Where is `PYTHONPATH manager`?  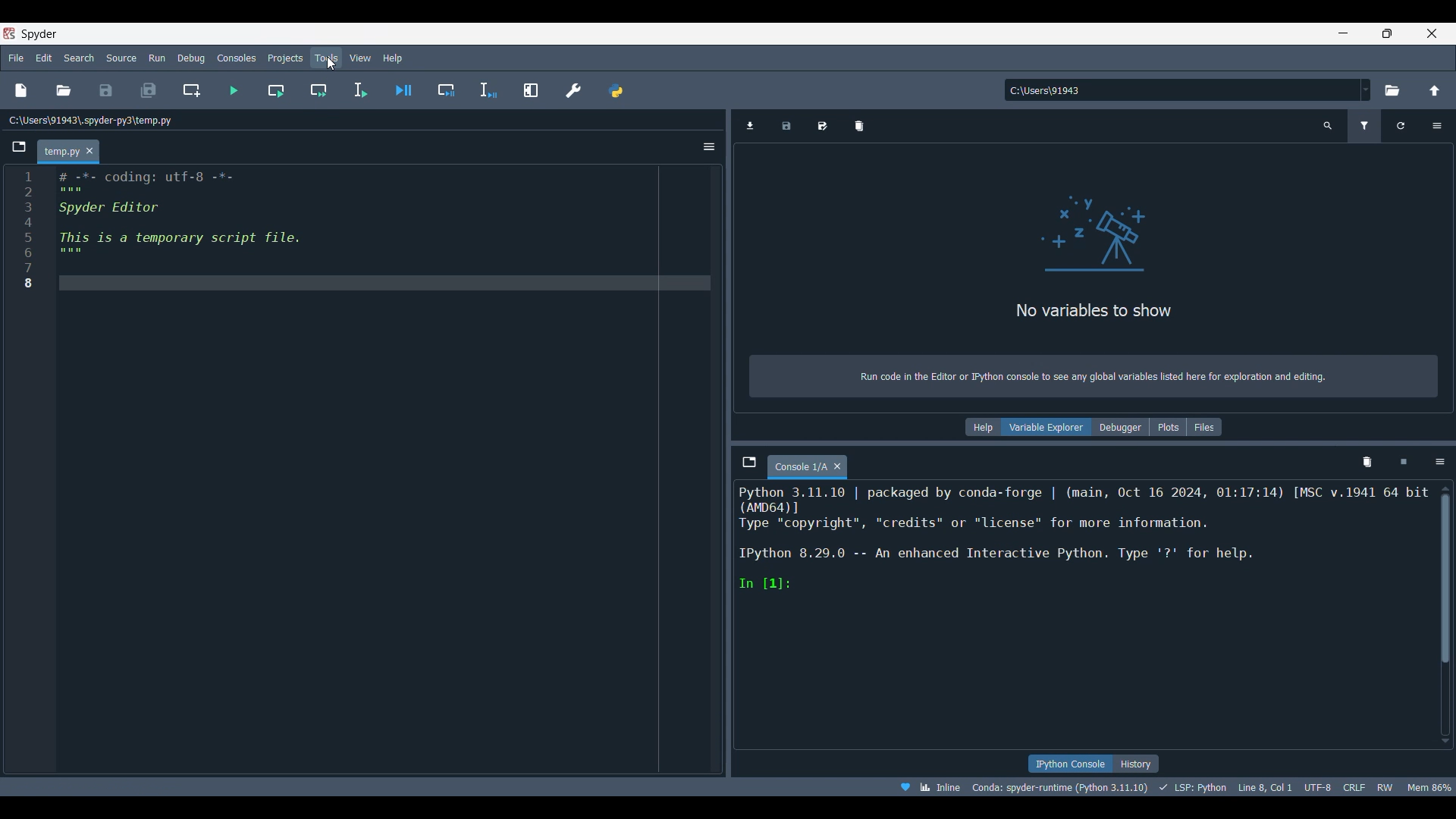
PYTHONPATH manager is located at coordinates (615, 90).